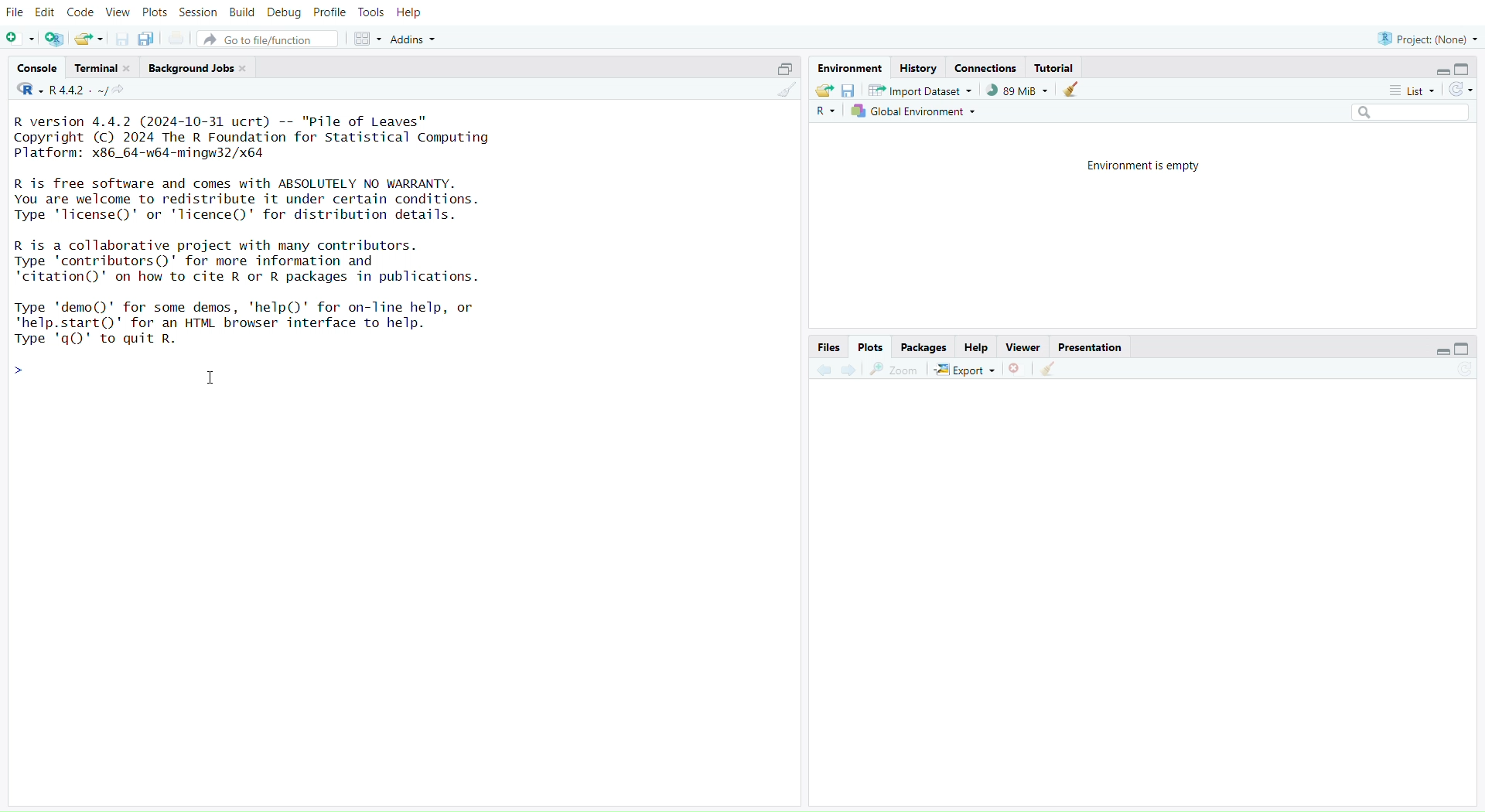  I want to click on Print the current file, so click(178, 37).